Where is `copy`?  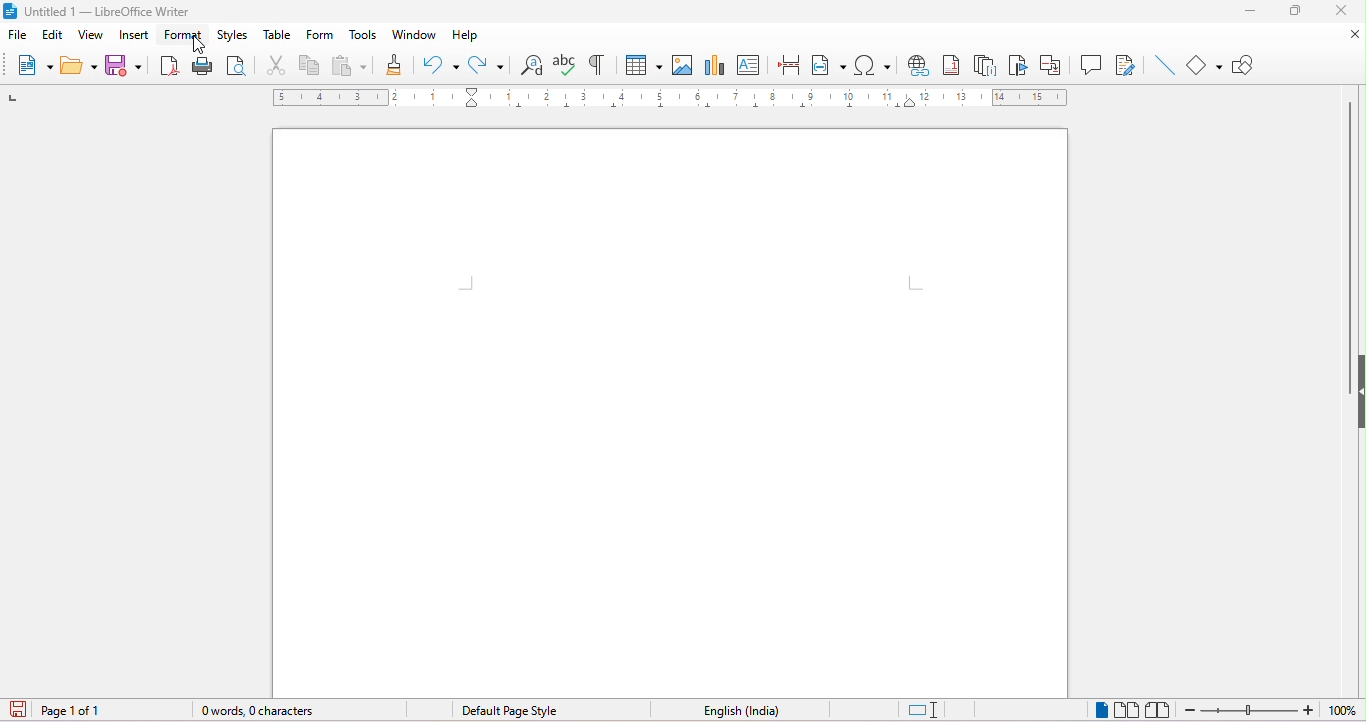
copy is located at coordinates (310, 69).